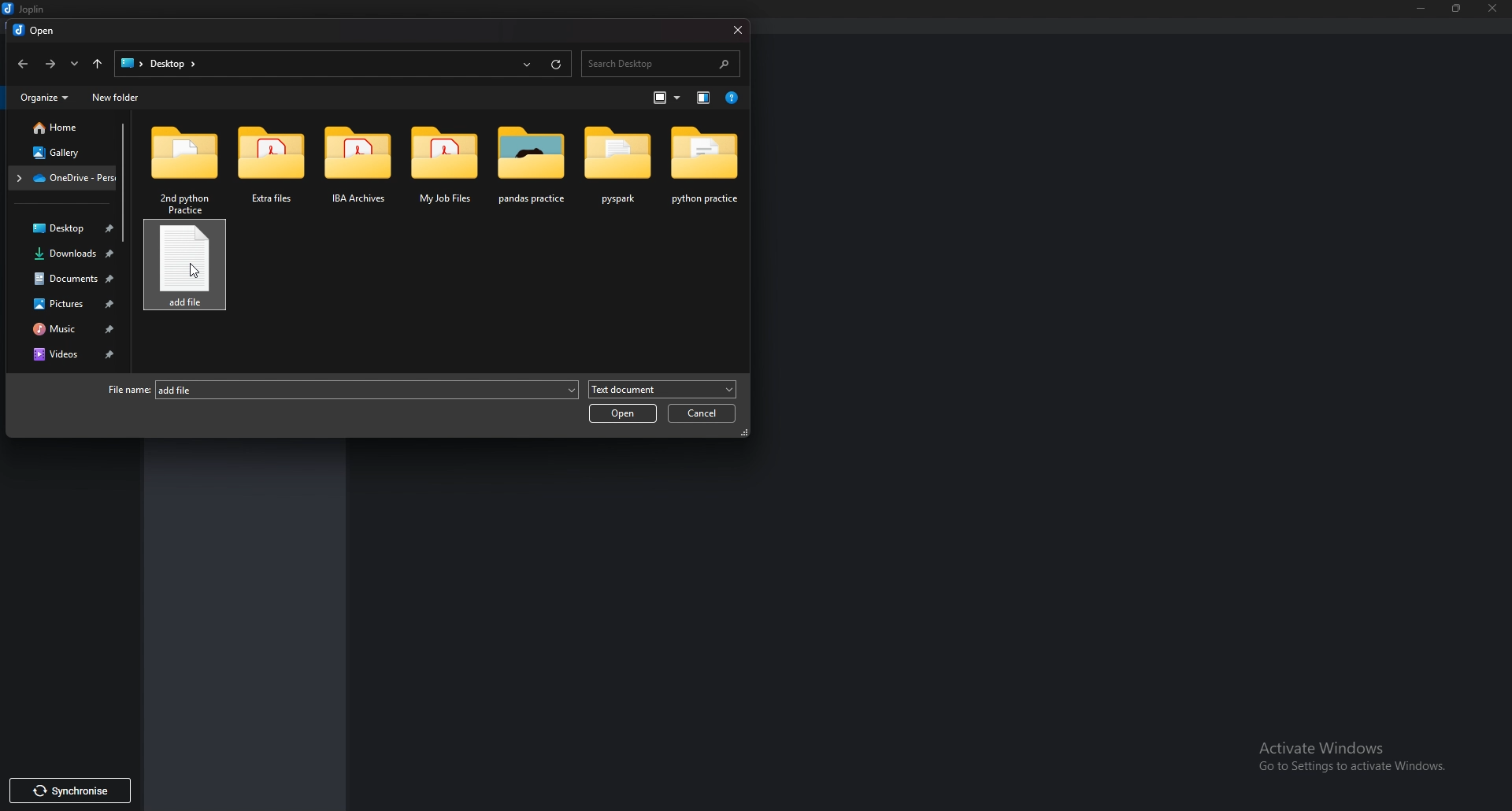 This screenshot has height=811, width=1512. Describe the element at coordinates (64, 230) in the screenshot. I see `Desktop` at that location.